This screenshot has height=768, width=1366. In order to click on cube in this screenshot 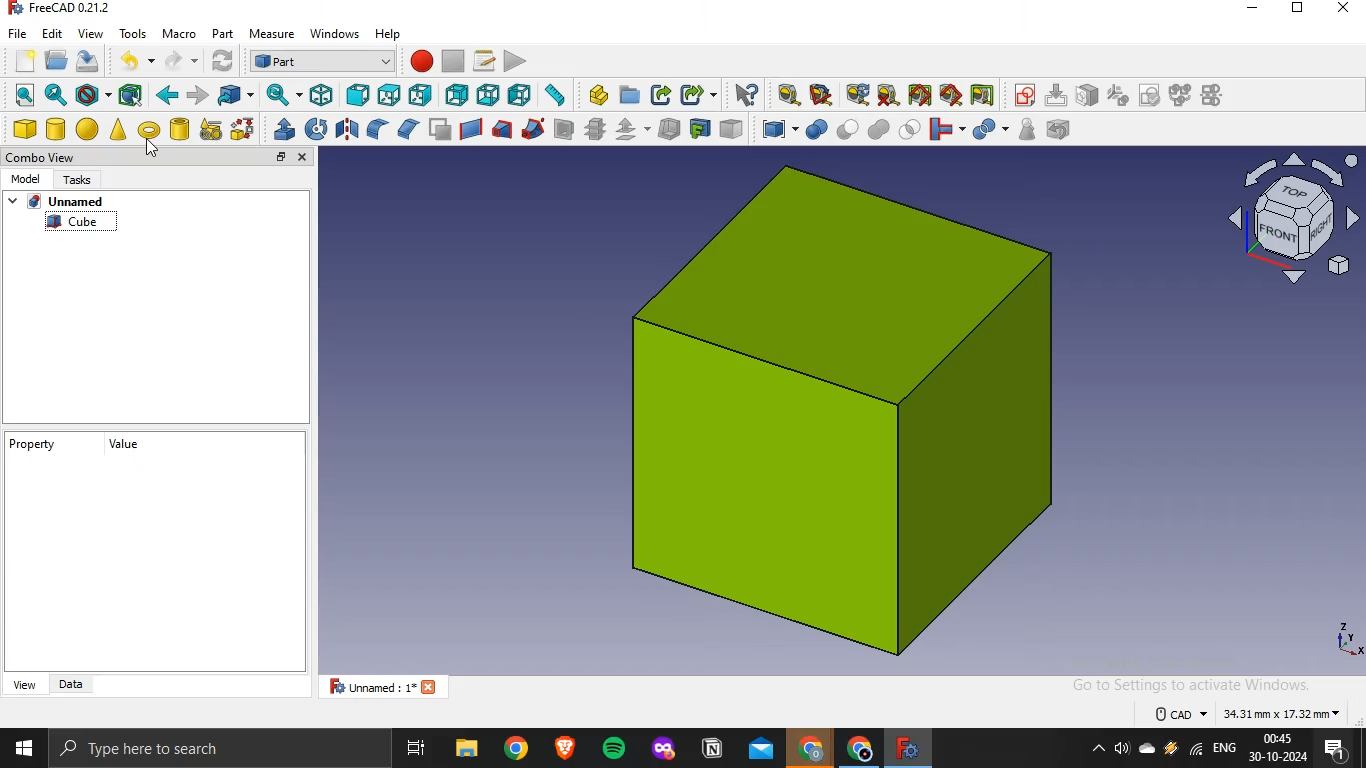, I will do `click(75, 223)`.